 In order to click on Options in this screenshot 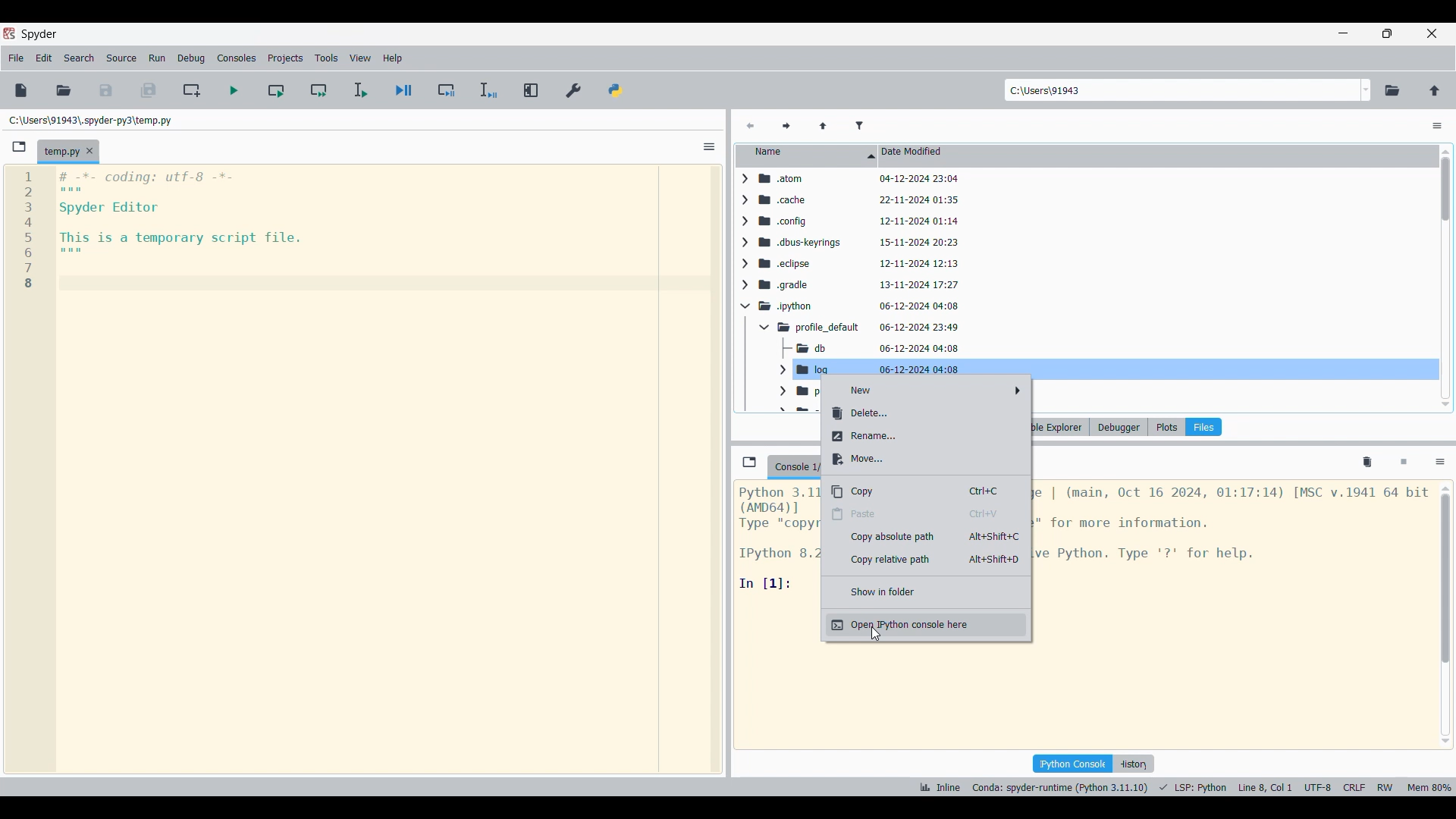, I will do `click(1440, 463)`.